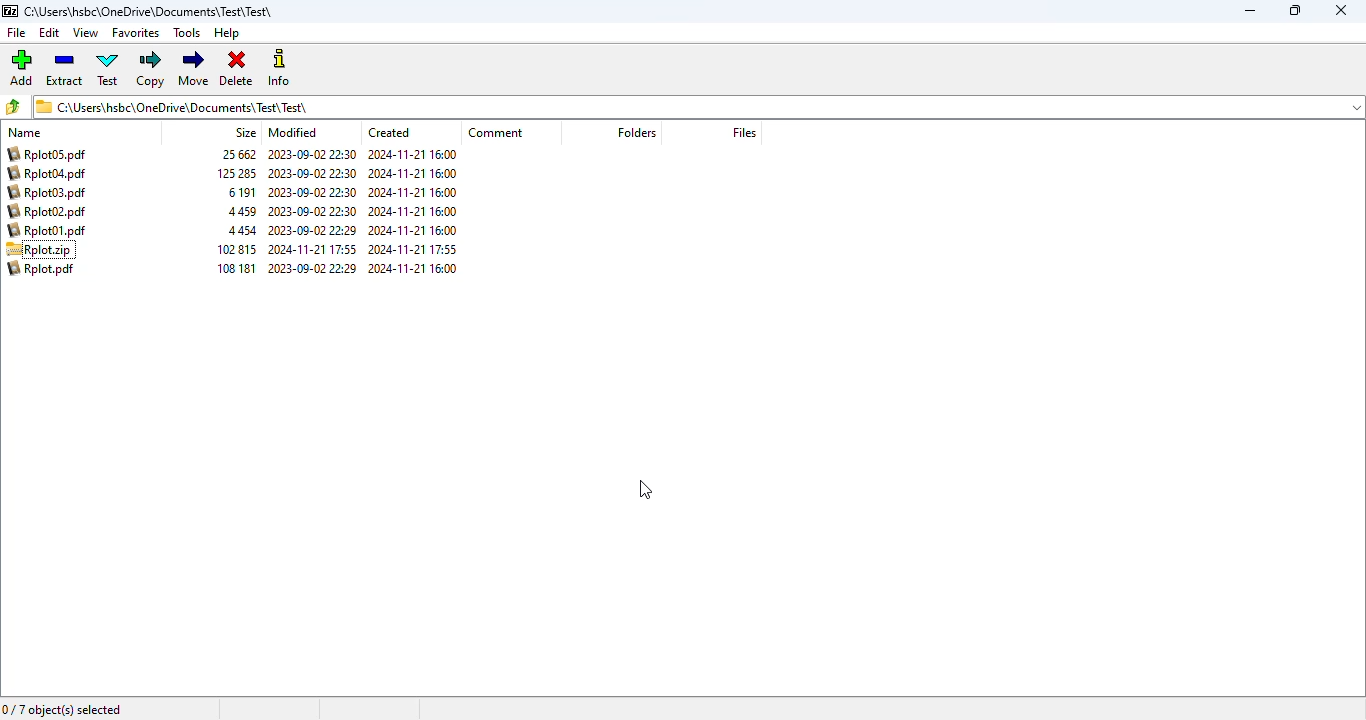  What do you see at coordinates (413, 192) in the screenshot?
I see `2024-11-21 16:00` at bounding box center [413, 192].